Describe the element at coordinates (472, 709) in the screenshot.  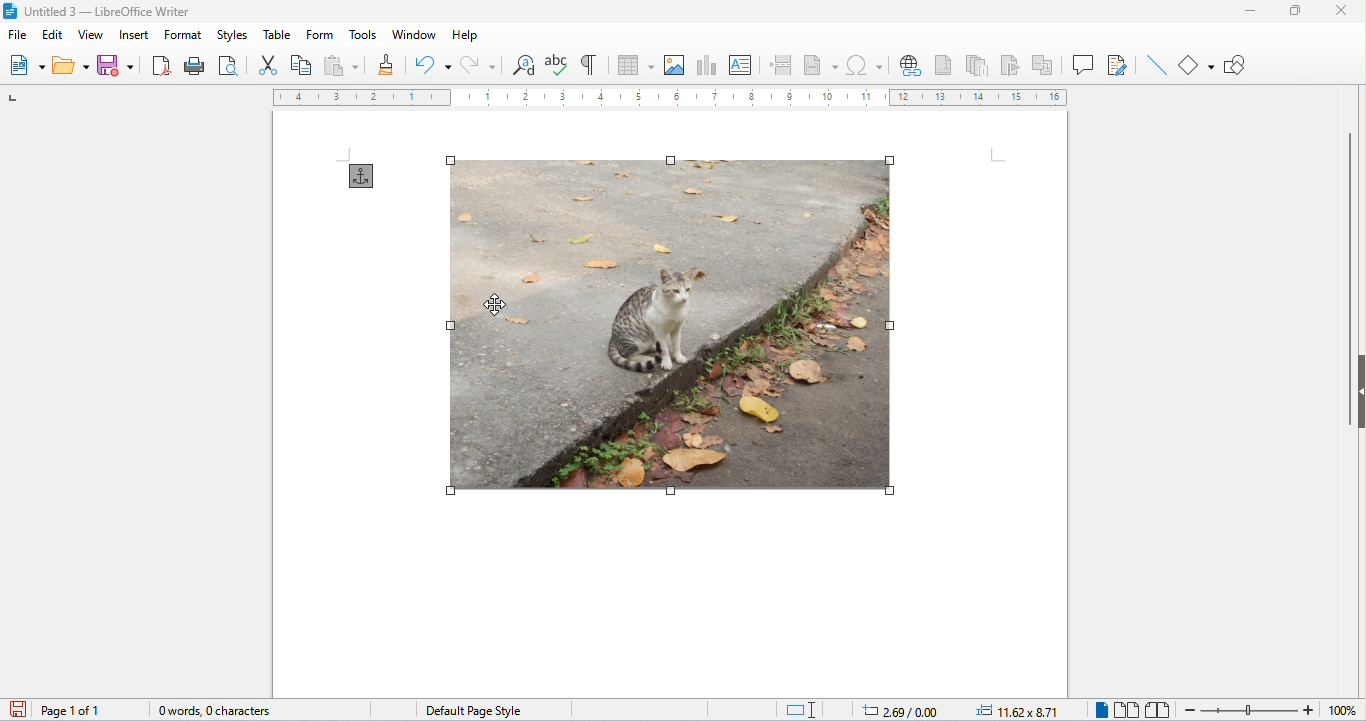
I see `default page` at that location.